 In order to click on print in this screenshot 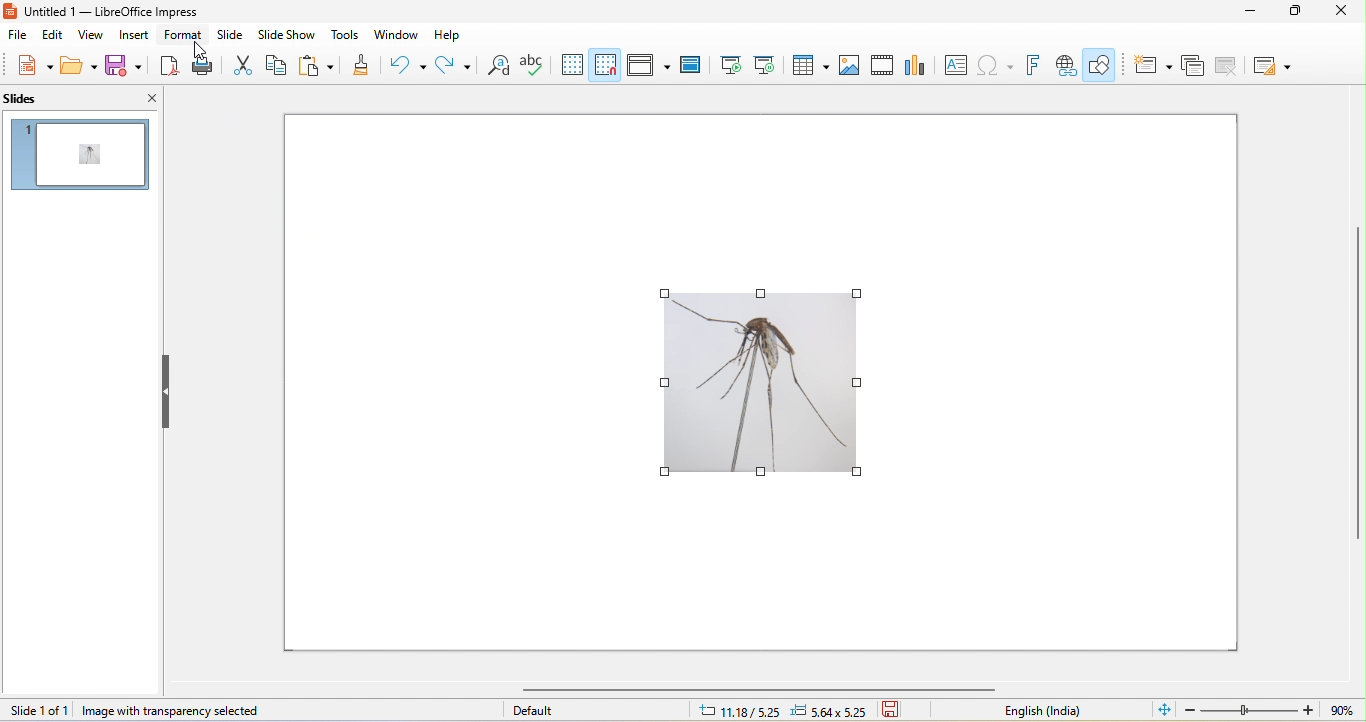, I will do `click(204, 65)`.